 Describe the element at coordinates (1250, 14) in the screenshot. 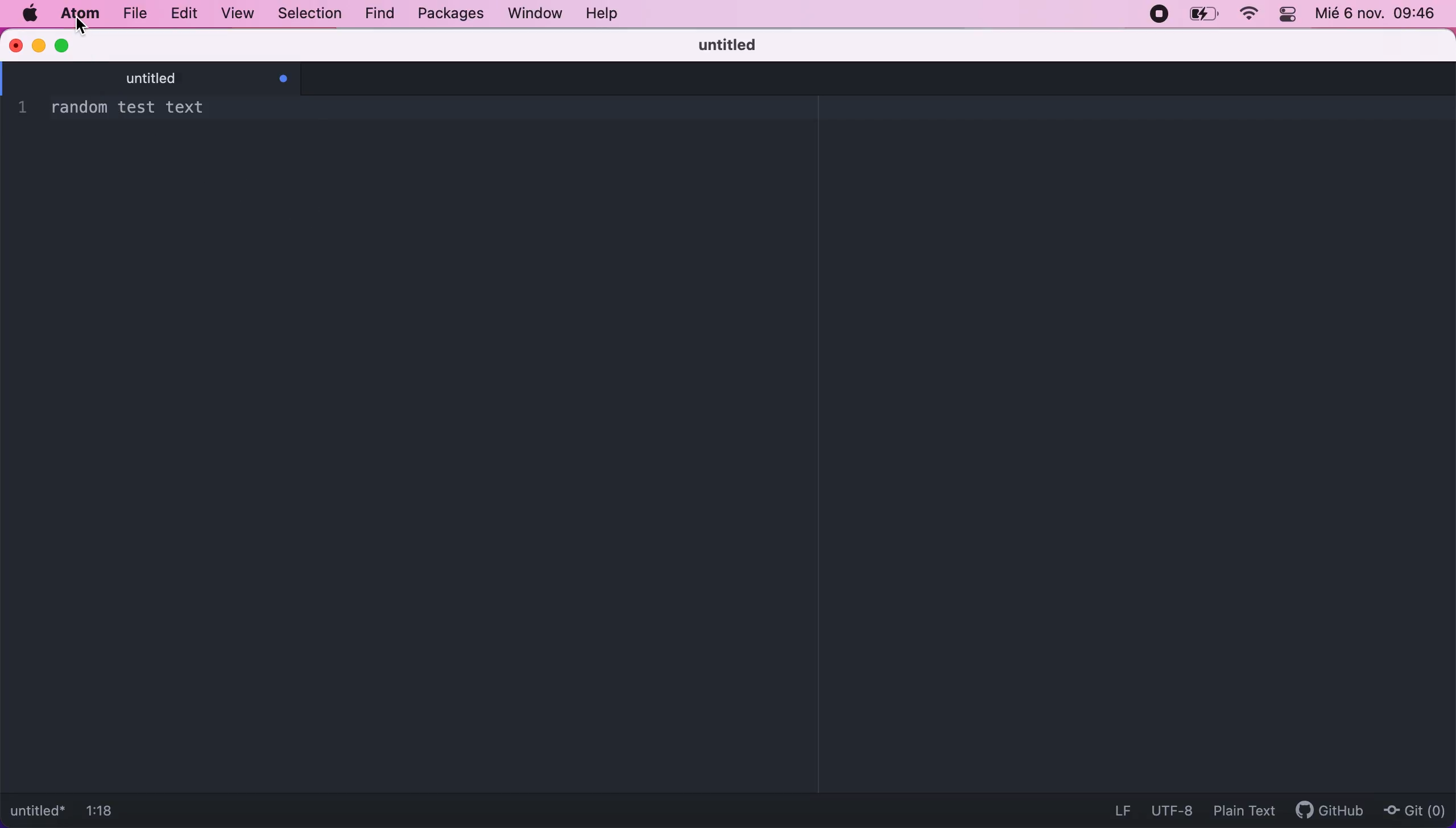

I see `wifi` at that location.